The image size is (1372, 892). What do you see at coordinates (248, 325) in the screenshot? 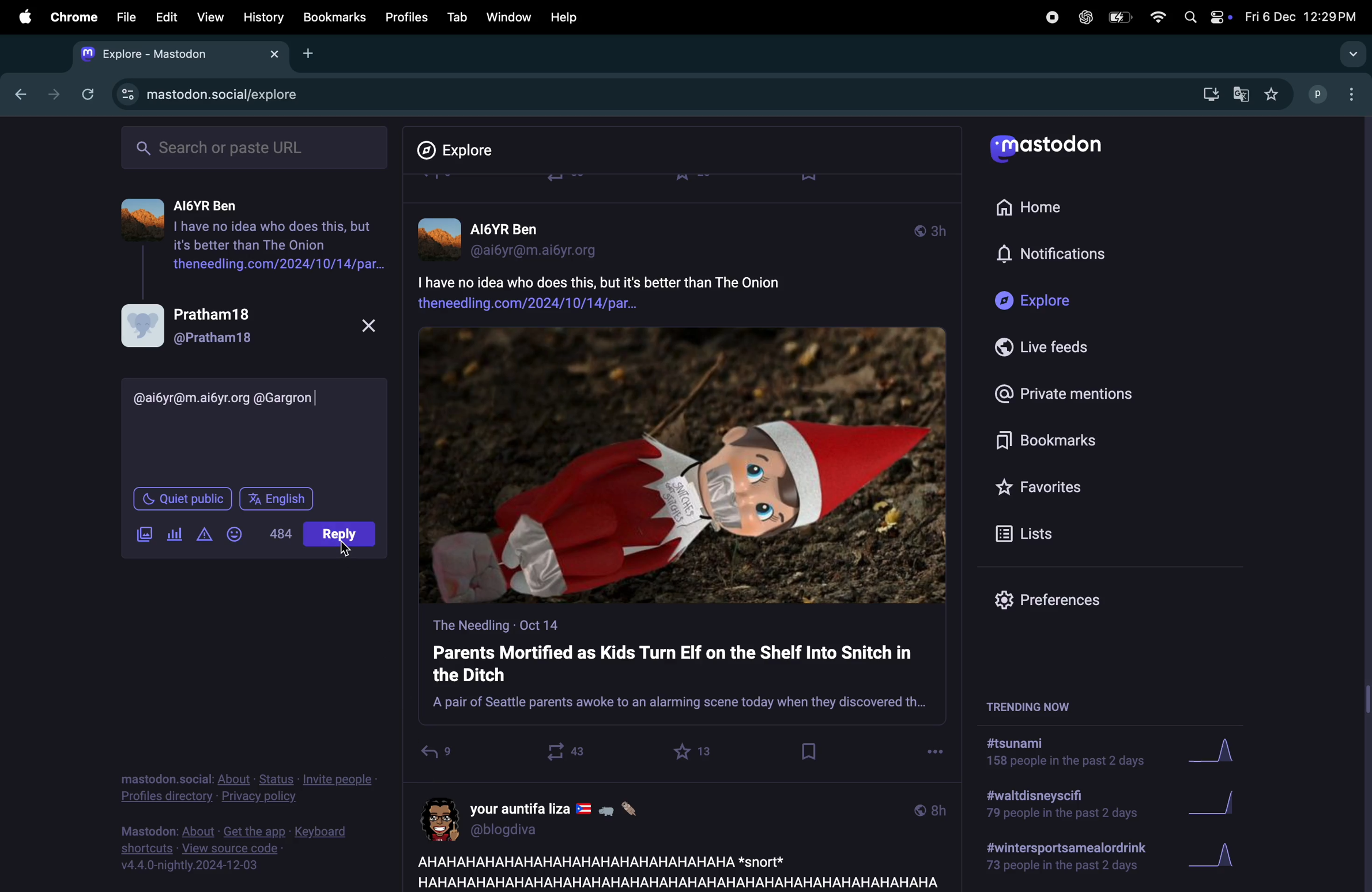
I see `user profile` at bounding box center [248, 325].